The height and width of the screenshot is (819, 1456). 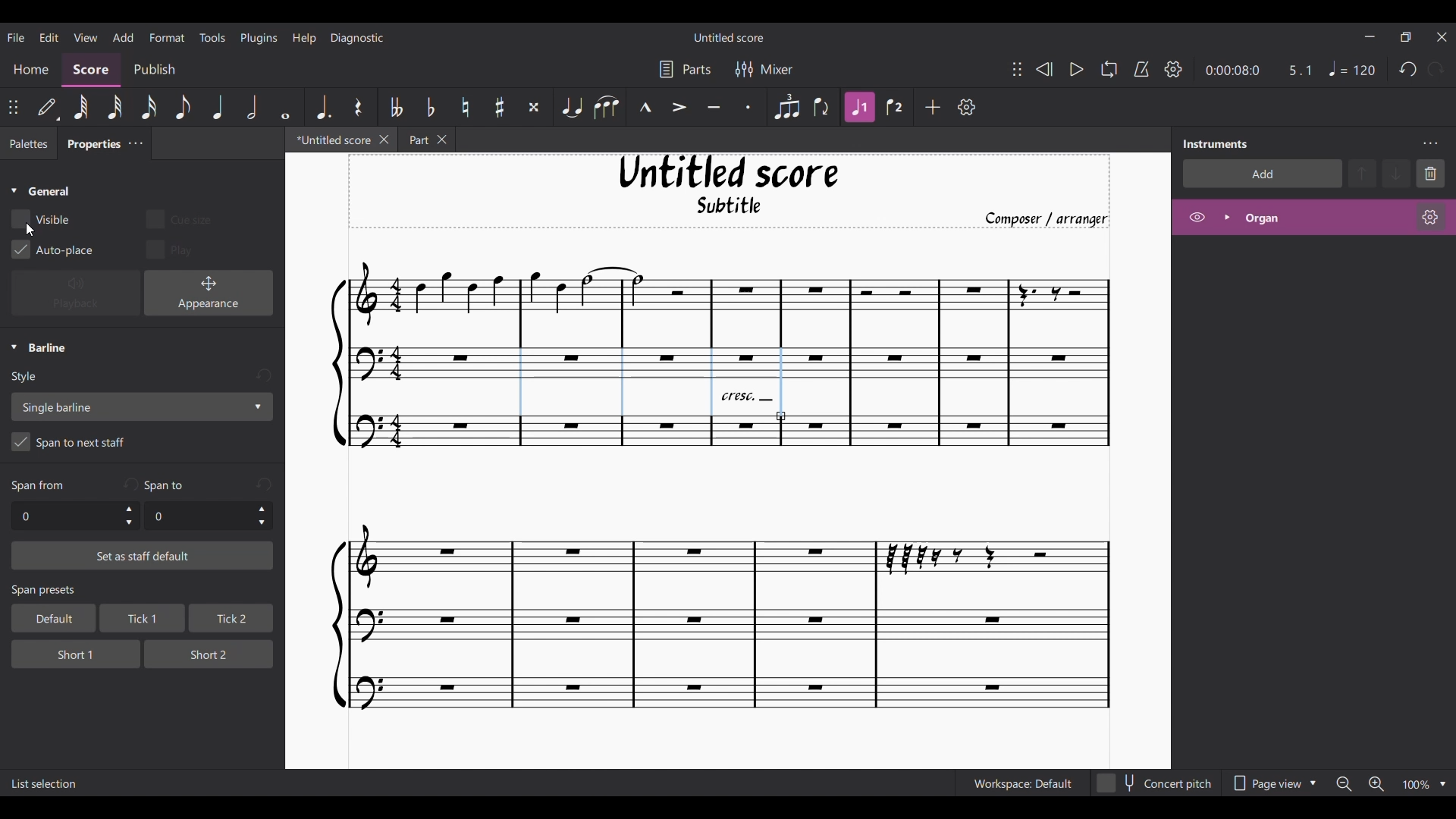 What do you see at coordinates (253, 106) in the screenshot?
I see `Half note` at bounding box center [253, 106].